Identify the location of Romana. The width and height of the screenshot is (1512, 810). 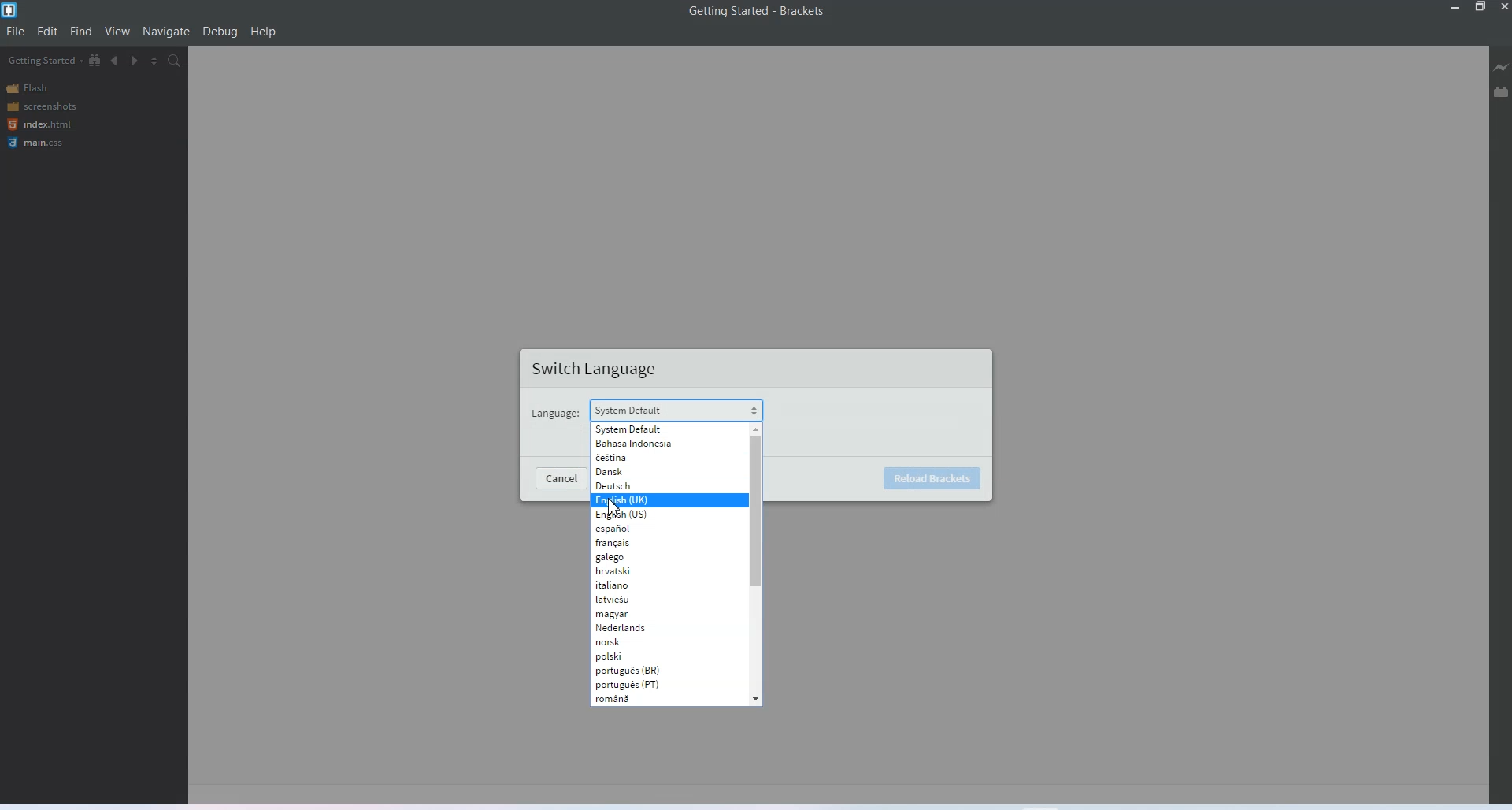
(643, 698).